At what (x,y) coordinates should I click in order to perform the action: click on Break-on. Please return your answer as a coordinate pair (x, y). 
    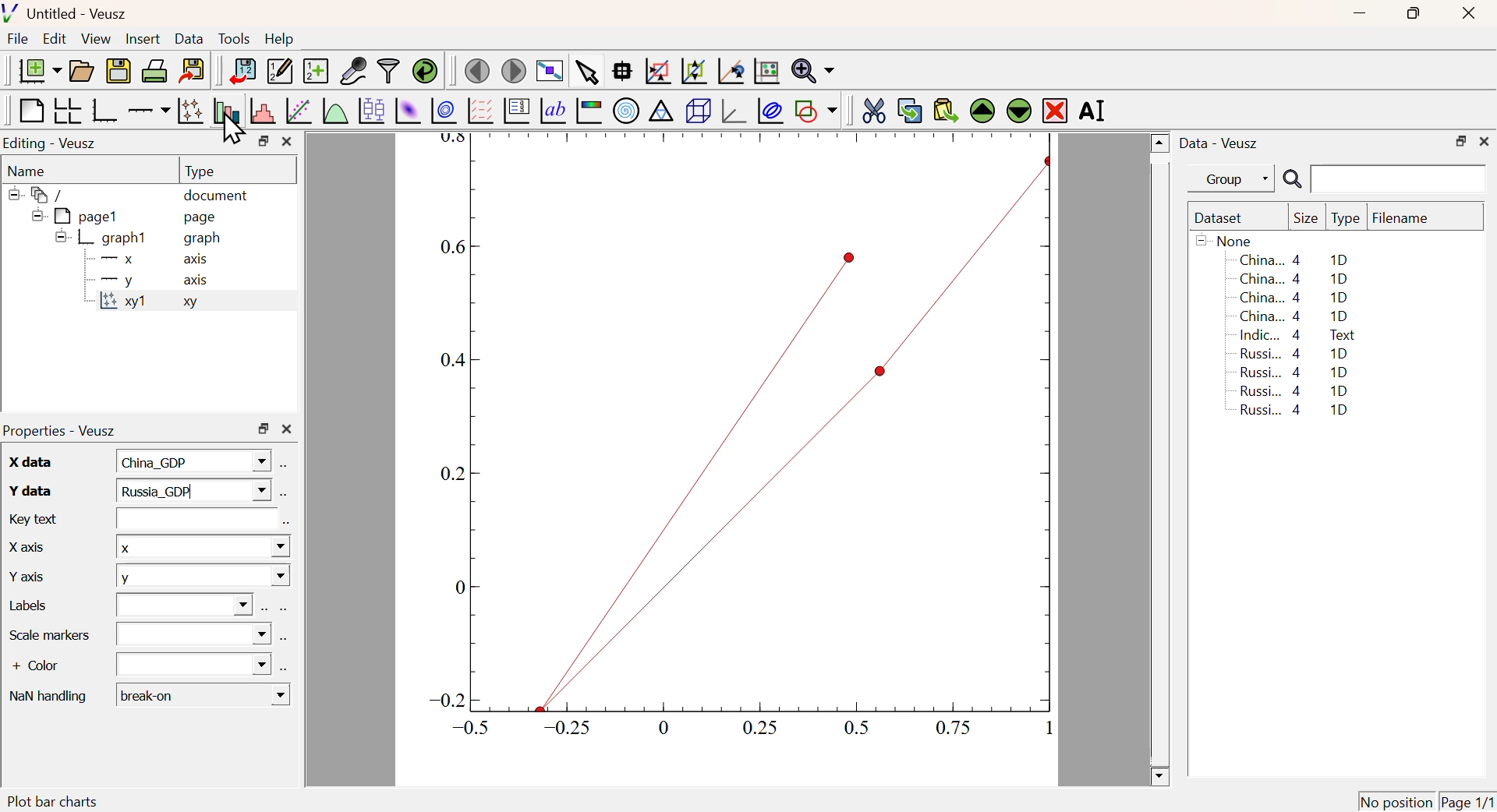
    Looking at the image, I should click on (203, 695).